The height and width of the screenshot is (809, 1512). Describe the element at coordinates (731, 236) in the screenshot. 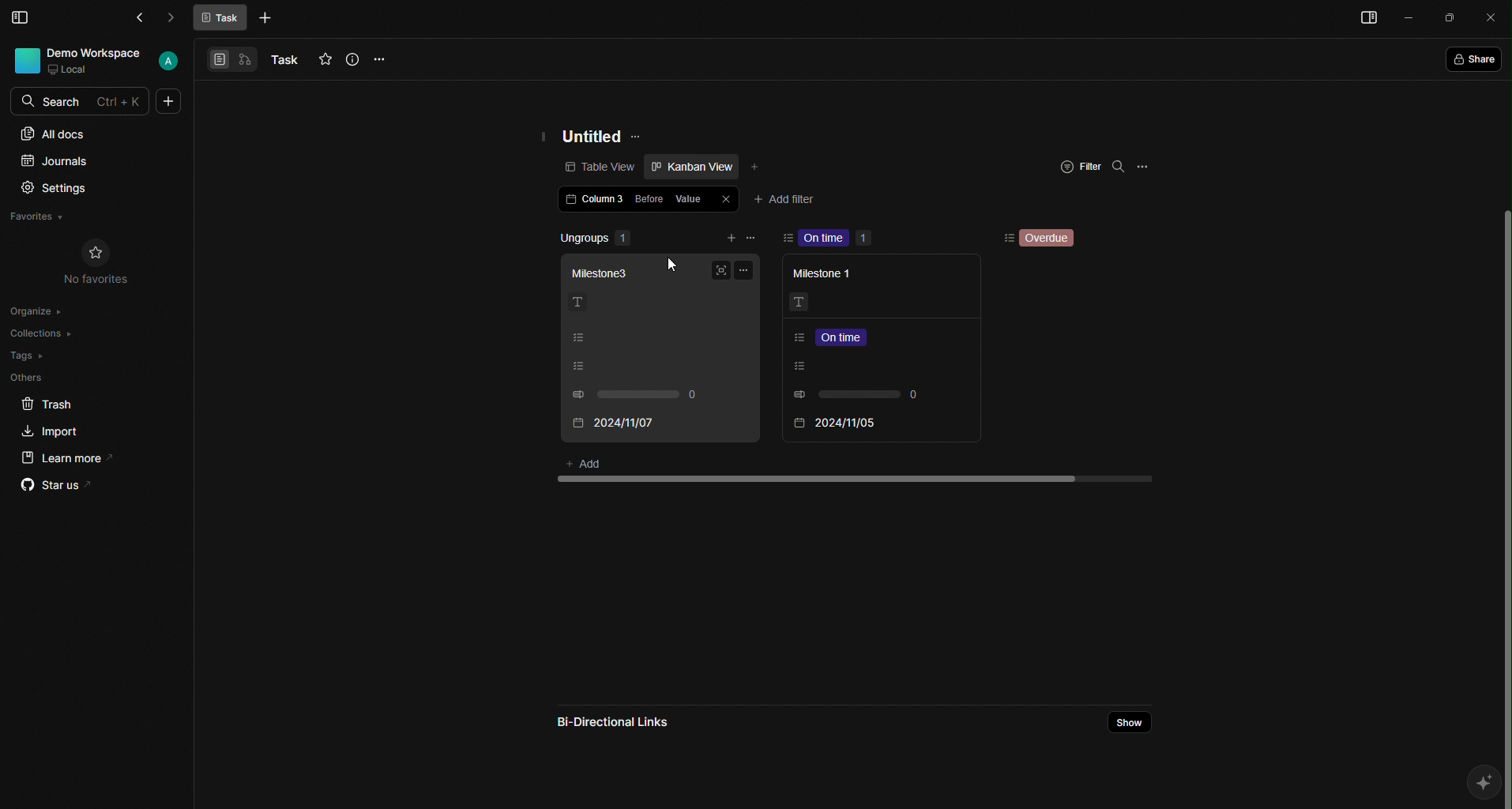

I see `add` at that location.